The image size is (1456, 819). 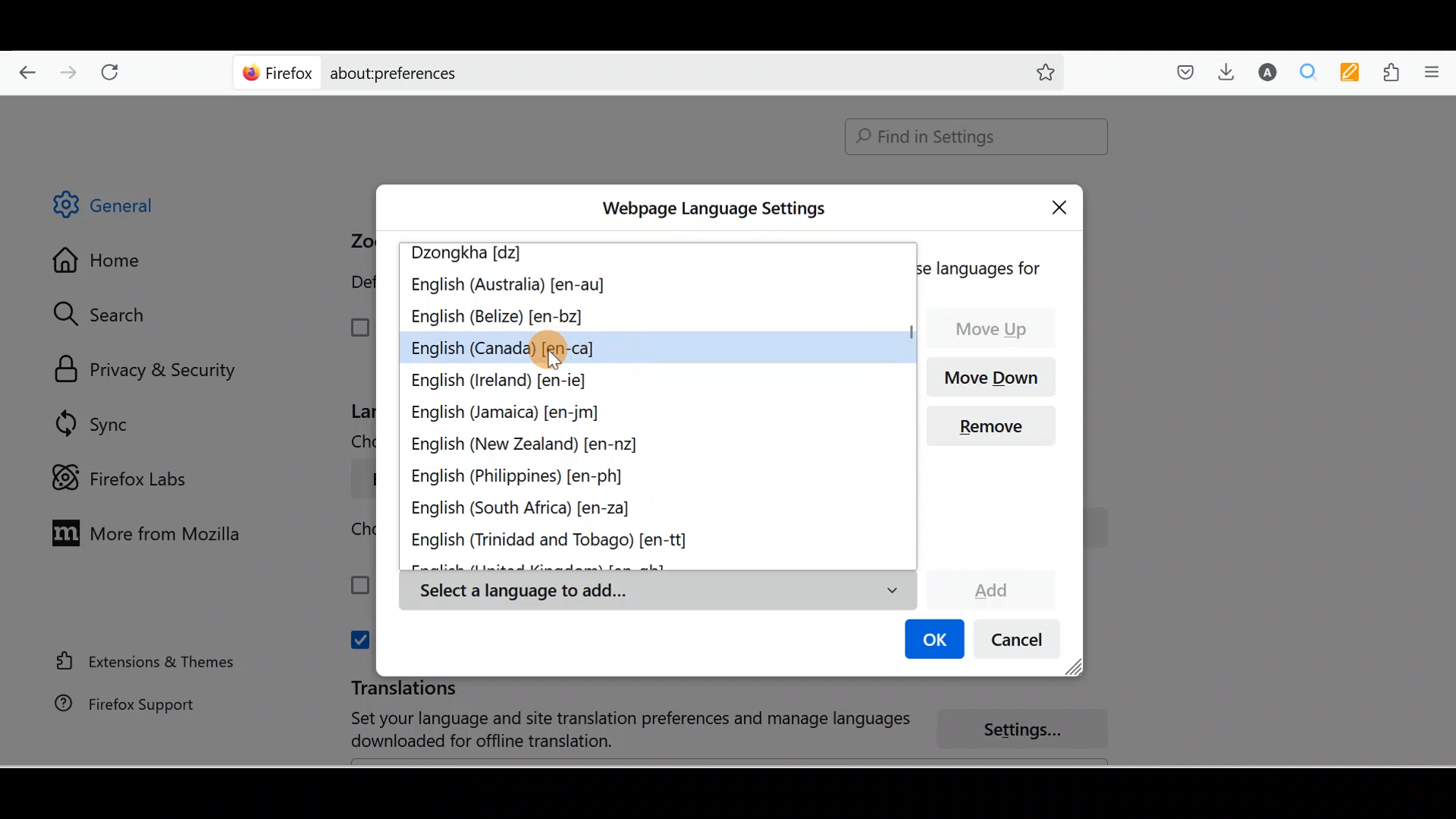 What do you see at coordinates (1021, 643) in the screenshot?
I see `Cancel` at bounding box center [1021, 643].